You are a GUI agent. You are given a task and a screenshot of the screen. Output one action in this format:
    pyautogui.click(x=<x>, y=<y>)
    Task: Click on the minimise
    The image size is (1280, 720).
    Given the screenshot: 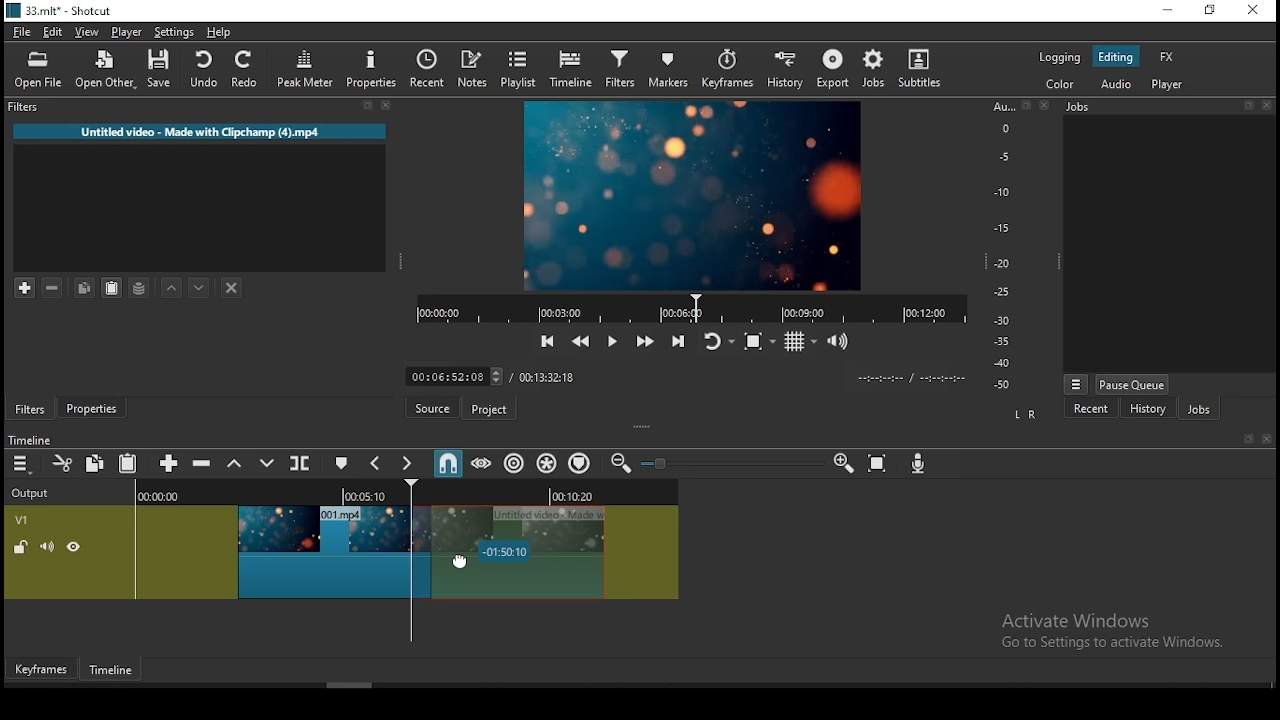 What is the action you would take?
    pyautogui.click(x=1173, y=11)
    